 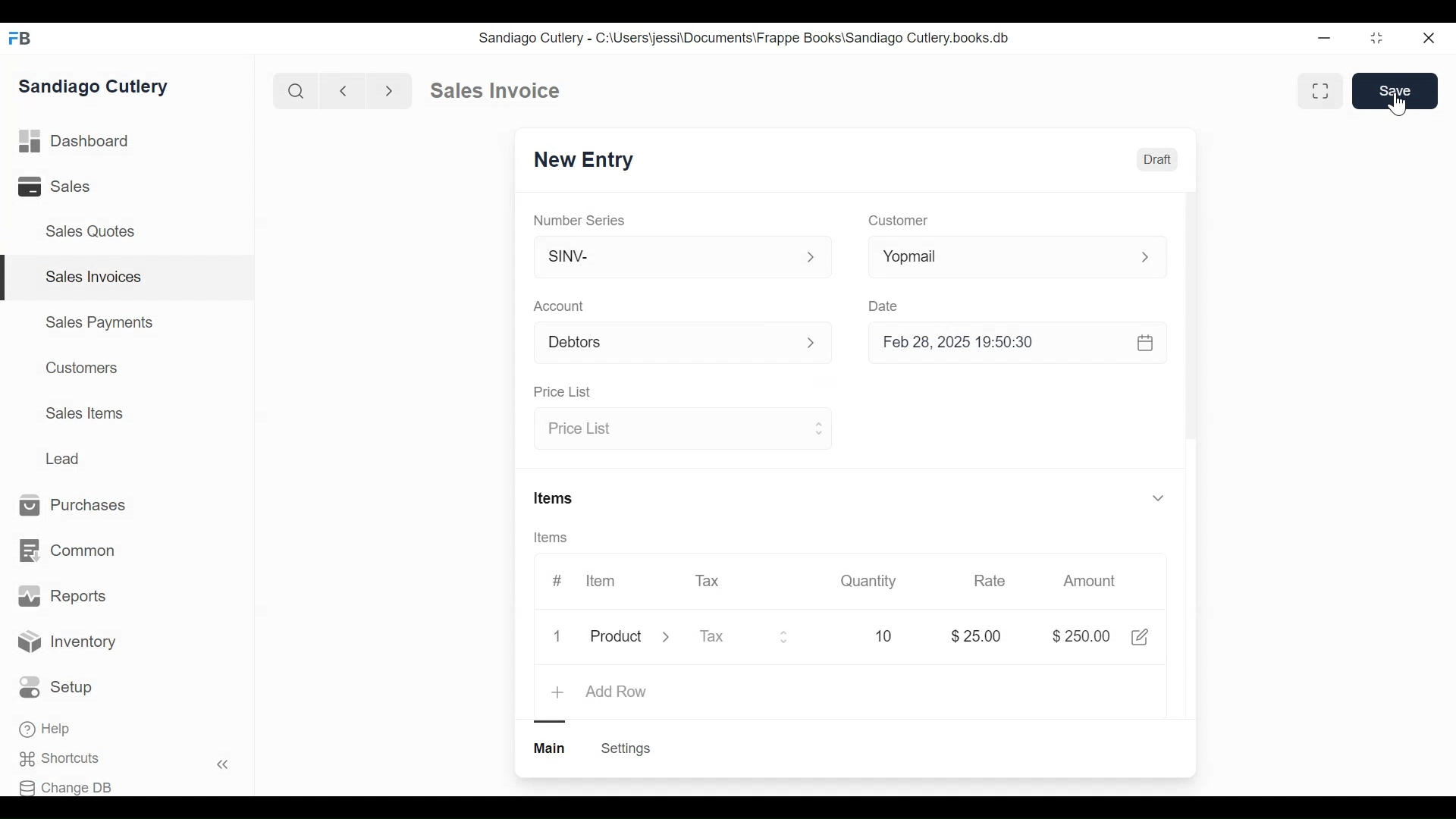 What do you see at coordinates (745, 639) in the screenshot?
I see `Tax ` at bounding box center [745, 639].